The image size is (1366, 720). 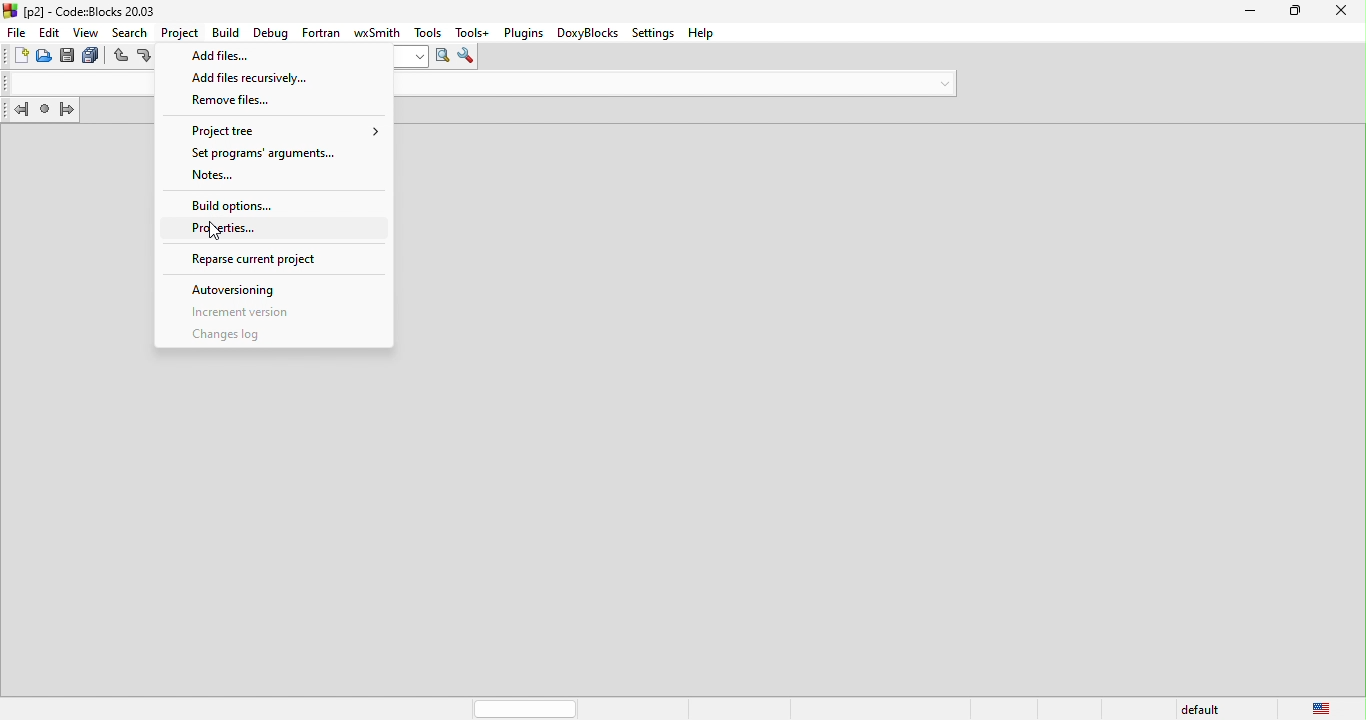 I want to click on changes log, so click(x=233, y=334).